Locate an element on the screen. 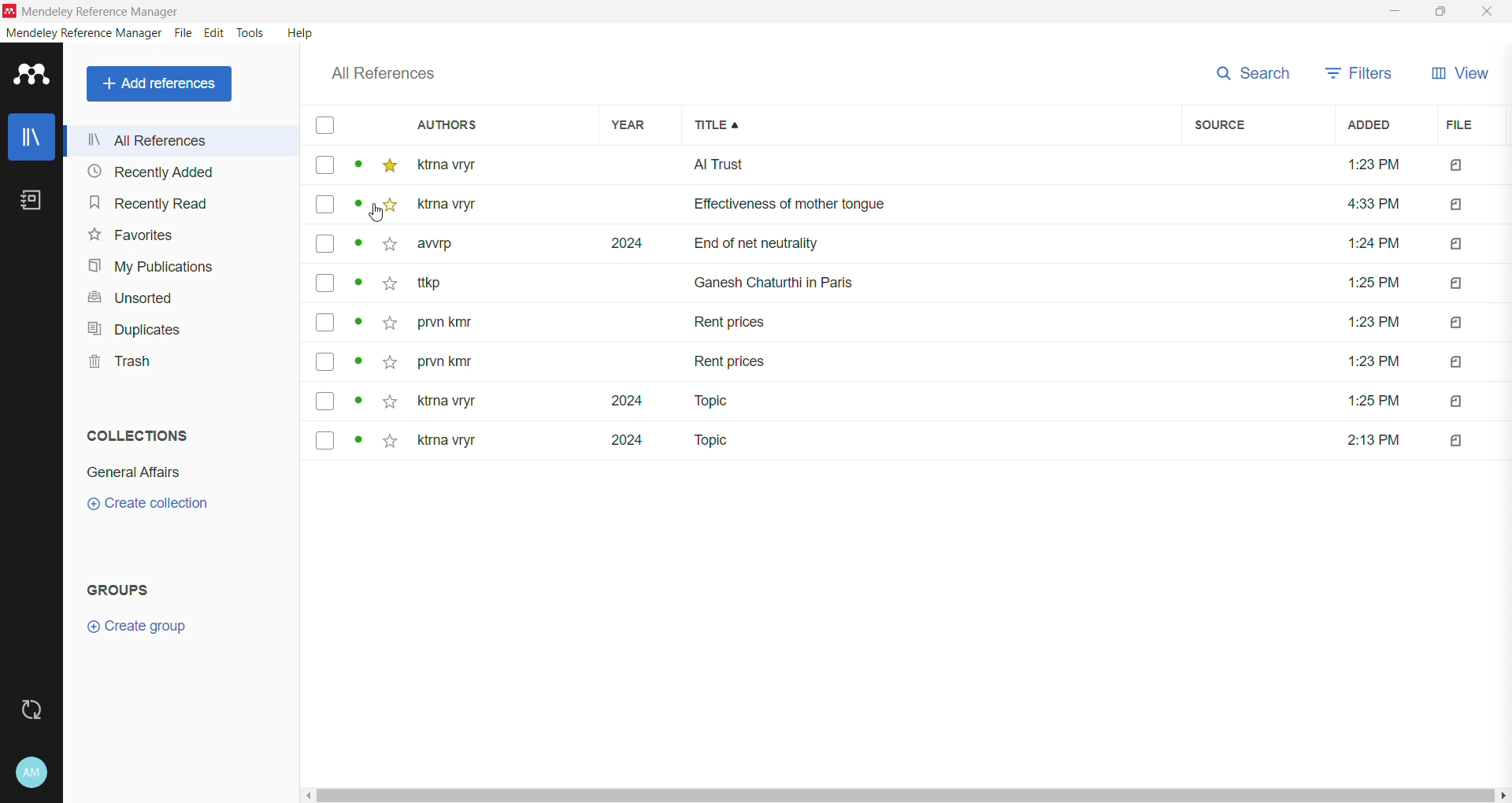 This screenshot has width=1512, height=803. Rent prices is located at coordinates (732, 325).